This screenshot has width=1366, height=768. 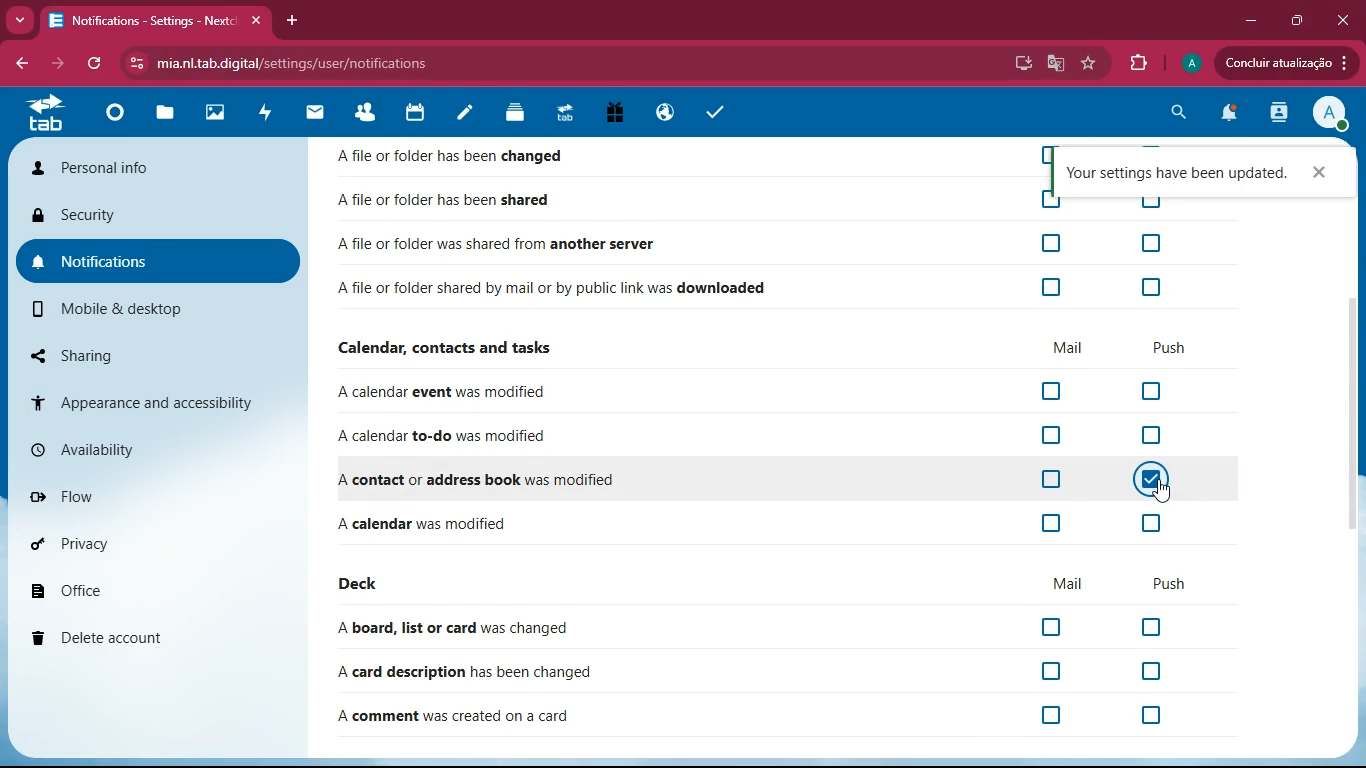 I want to click on search, so click(x=1175, y=112).